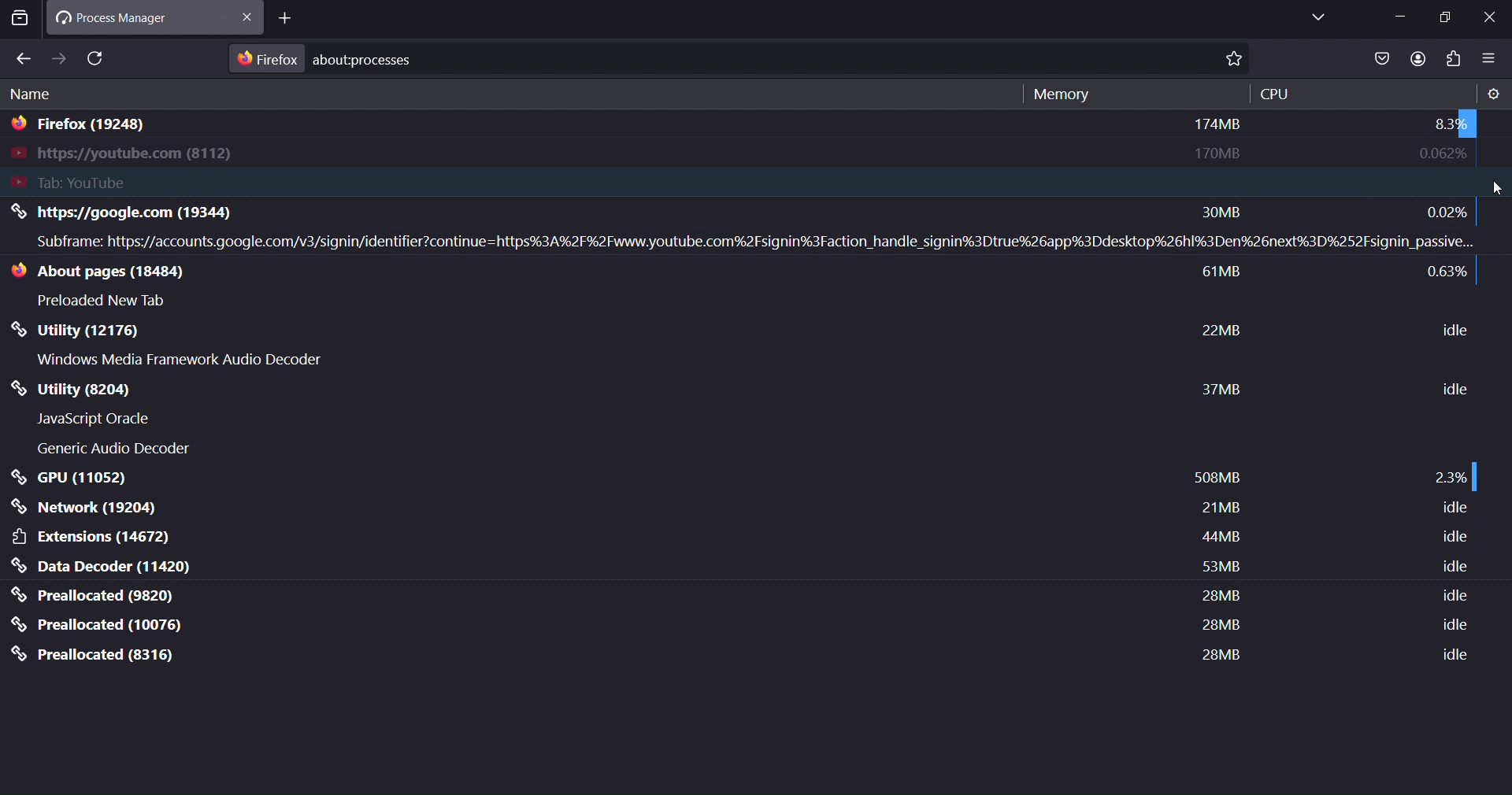 This screenshot has height=795, width=1512. What do you see at coordinates (1489, 60) in the screenshot?
I see `menu` at bounding box center [1489, 60].